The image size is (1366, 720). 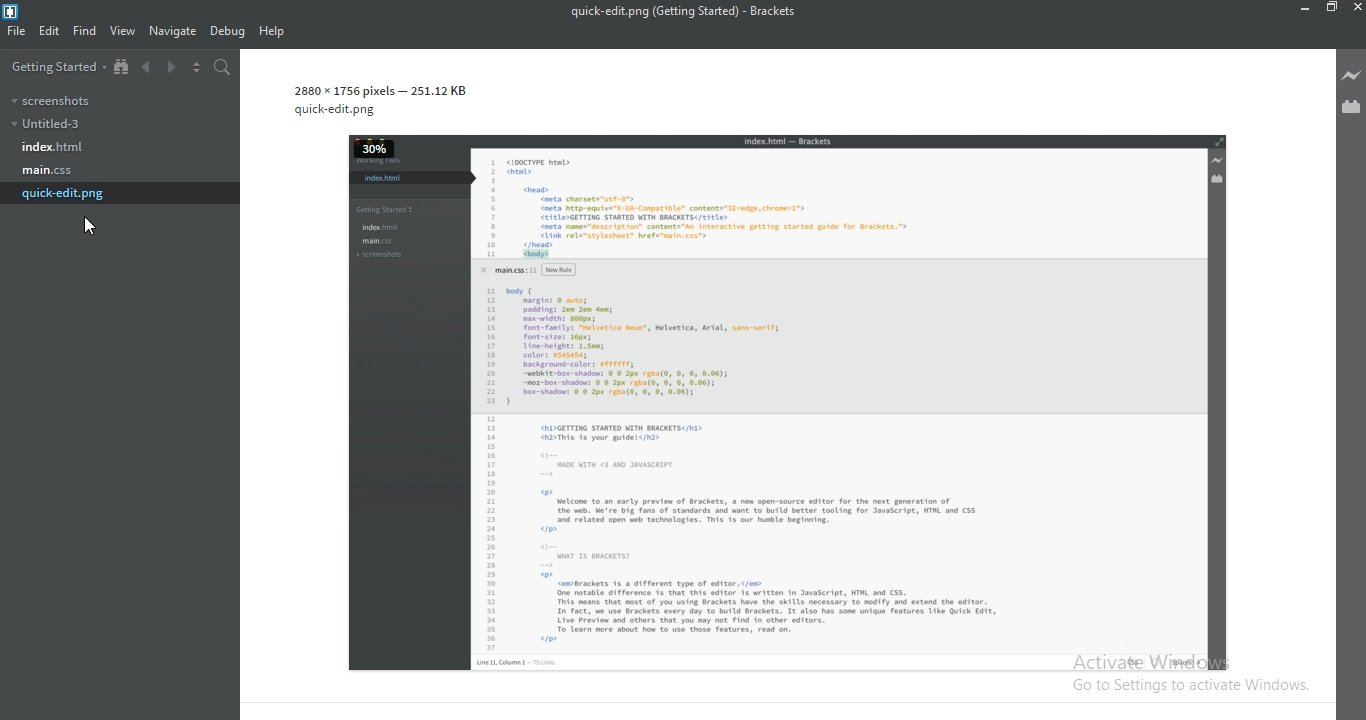 What do you see at coordinates (121, 32) in the screenshot?
I see `view` at bounding box center [121, 32].